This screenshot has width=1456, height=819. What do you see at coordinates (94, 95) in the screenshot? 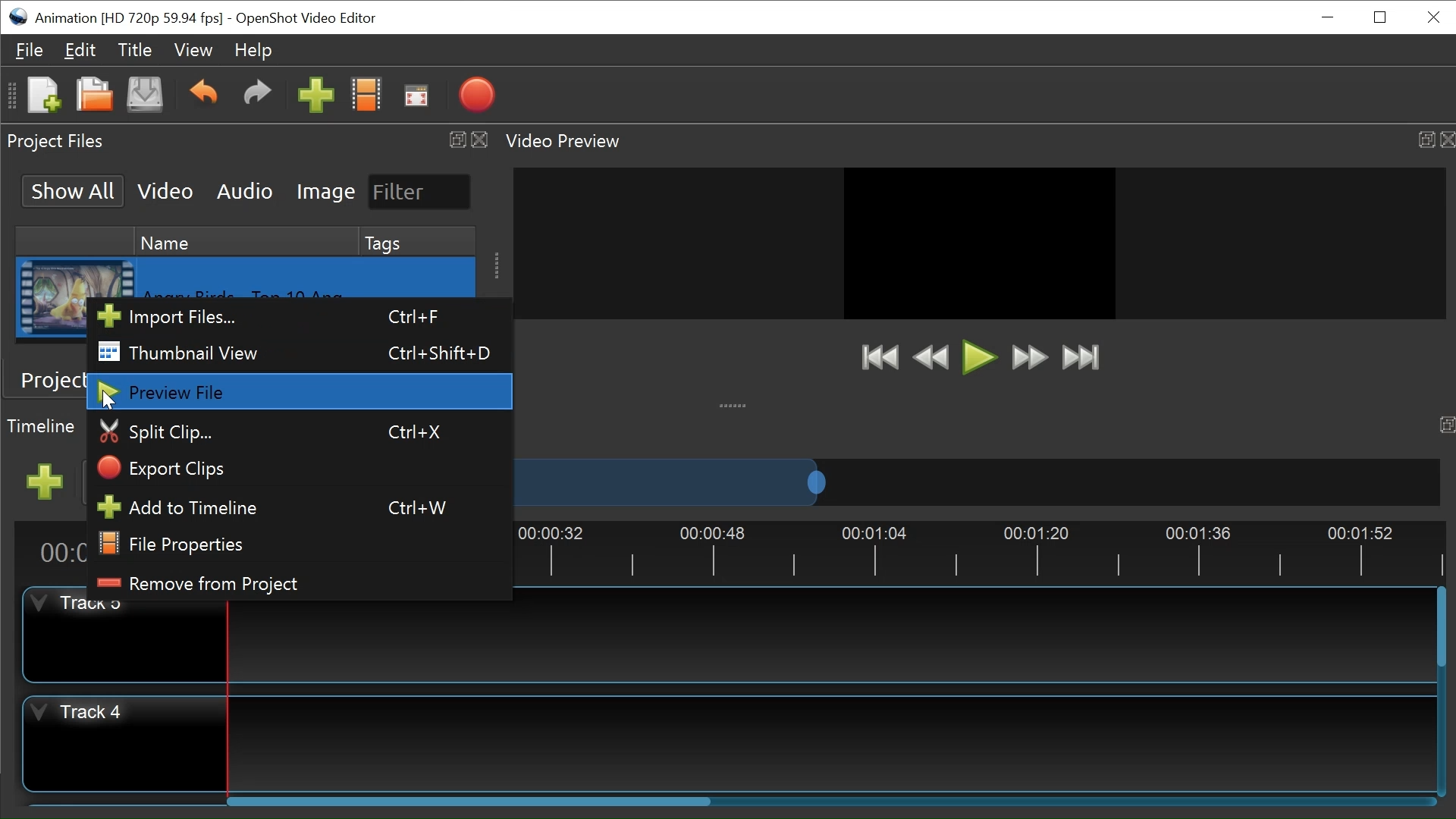
I see `Open Project` at bounding box center [94, 95].